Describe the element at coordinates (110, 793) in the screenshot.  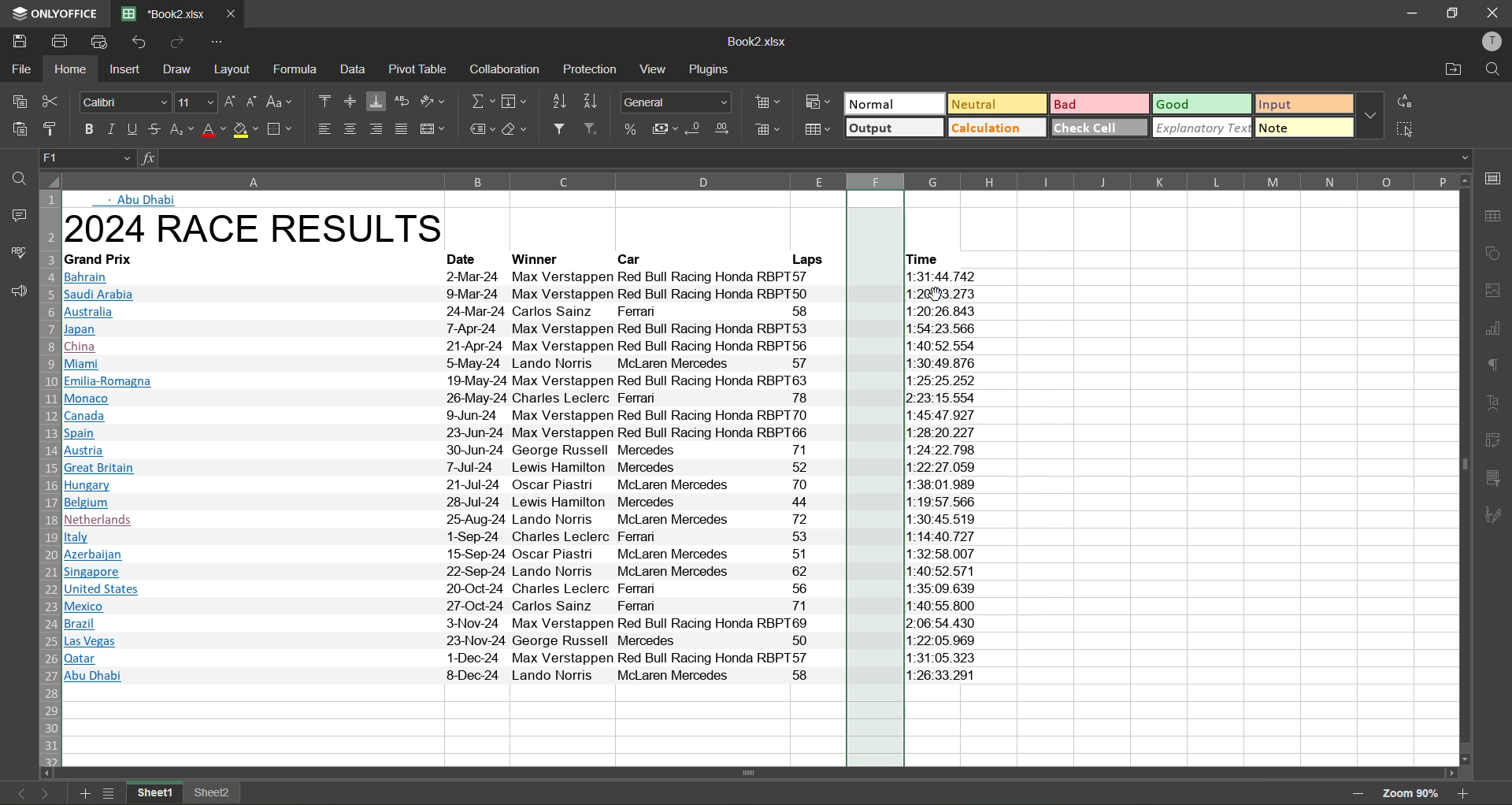
I see `sheet list` at that location.